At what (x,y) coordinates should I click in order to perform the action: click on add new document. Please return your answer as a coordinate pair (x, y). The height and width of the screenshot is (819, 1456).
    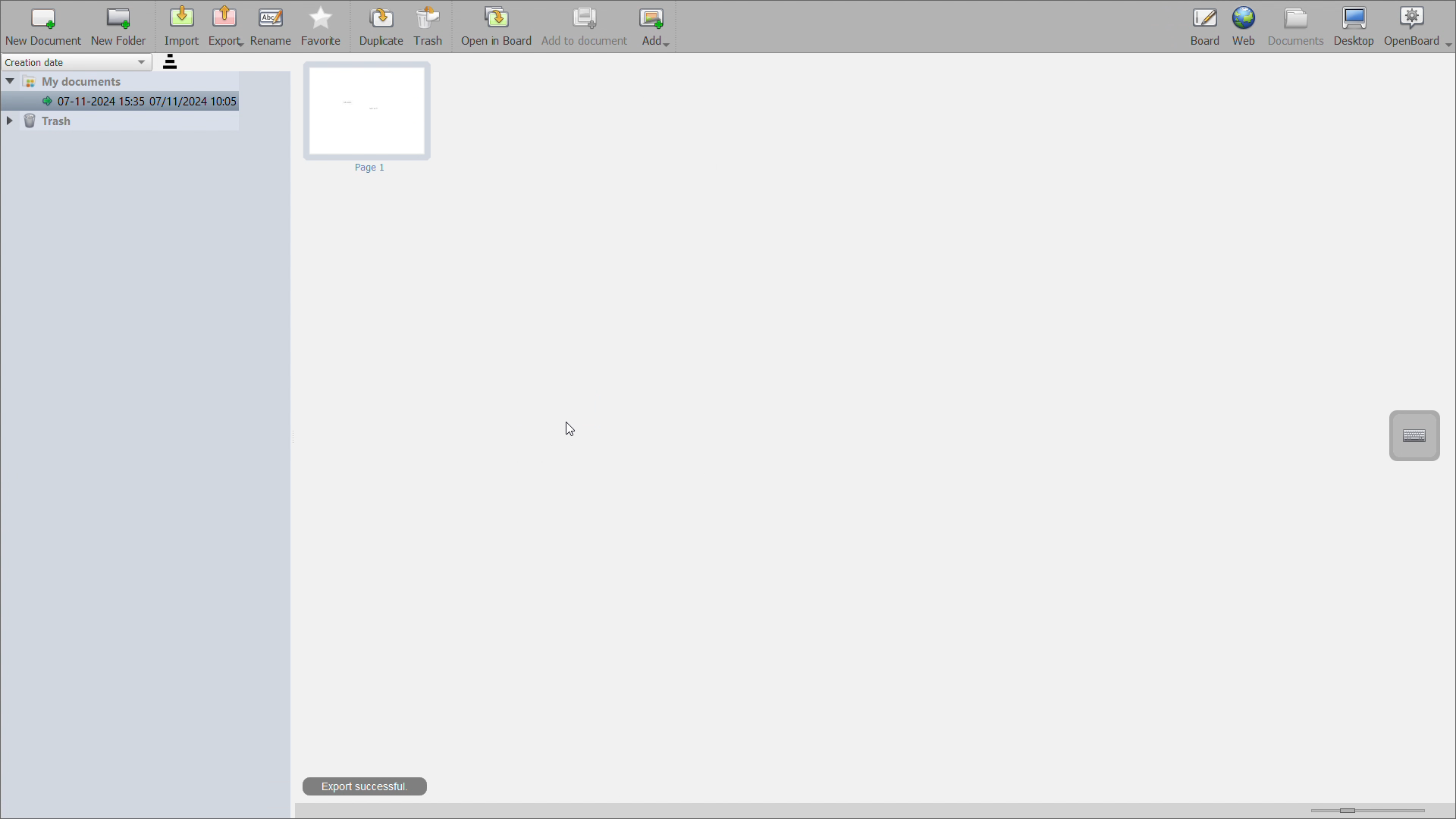
    Looking at the image, I should click on (43, 26).